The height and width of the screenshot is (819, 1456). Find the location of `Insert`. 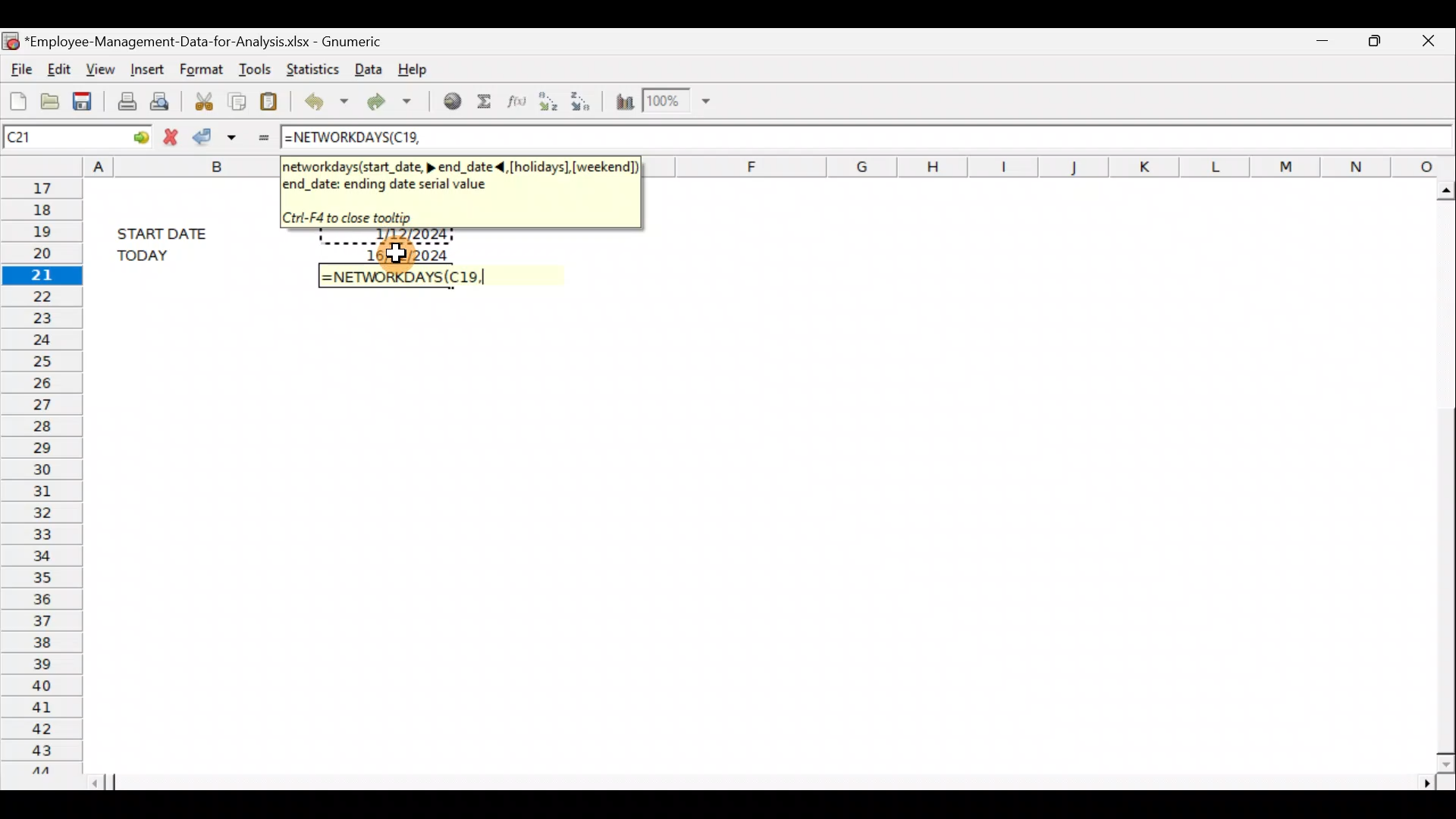

Insert is located at coordinates (146, 70).